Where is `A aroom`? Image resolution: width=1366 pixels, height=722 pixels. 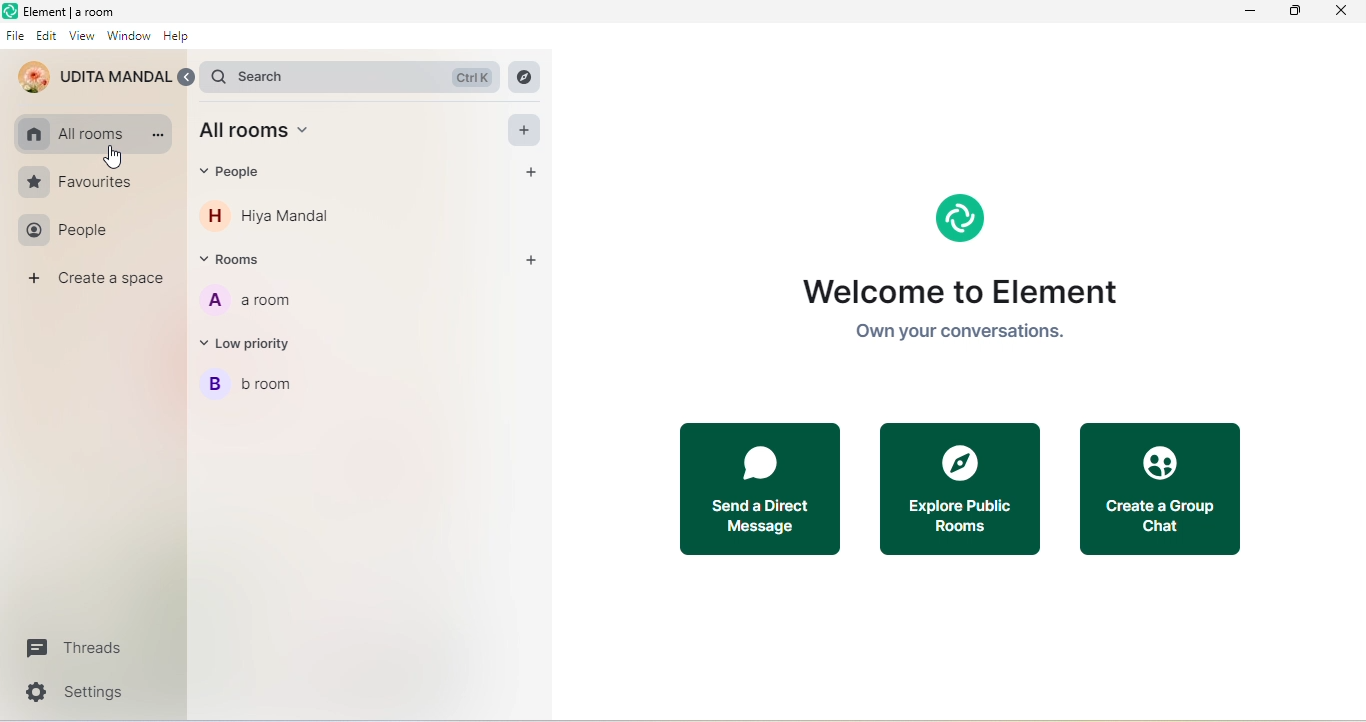 A aroom is located at coordinates (260, 302).